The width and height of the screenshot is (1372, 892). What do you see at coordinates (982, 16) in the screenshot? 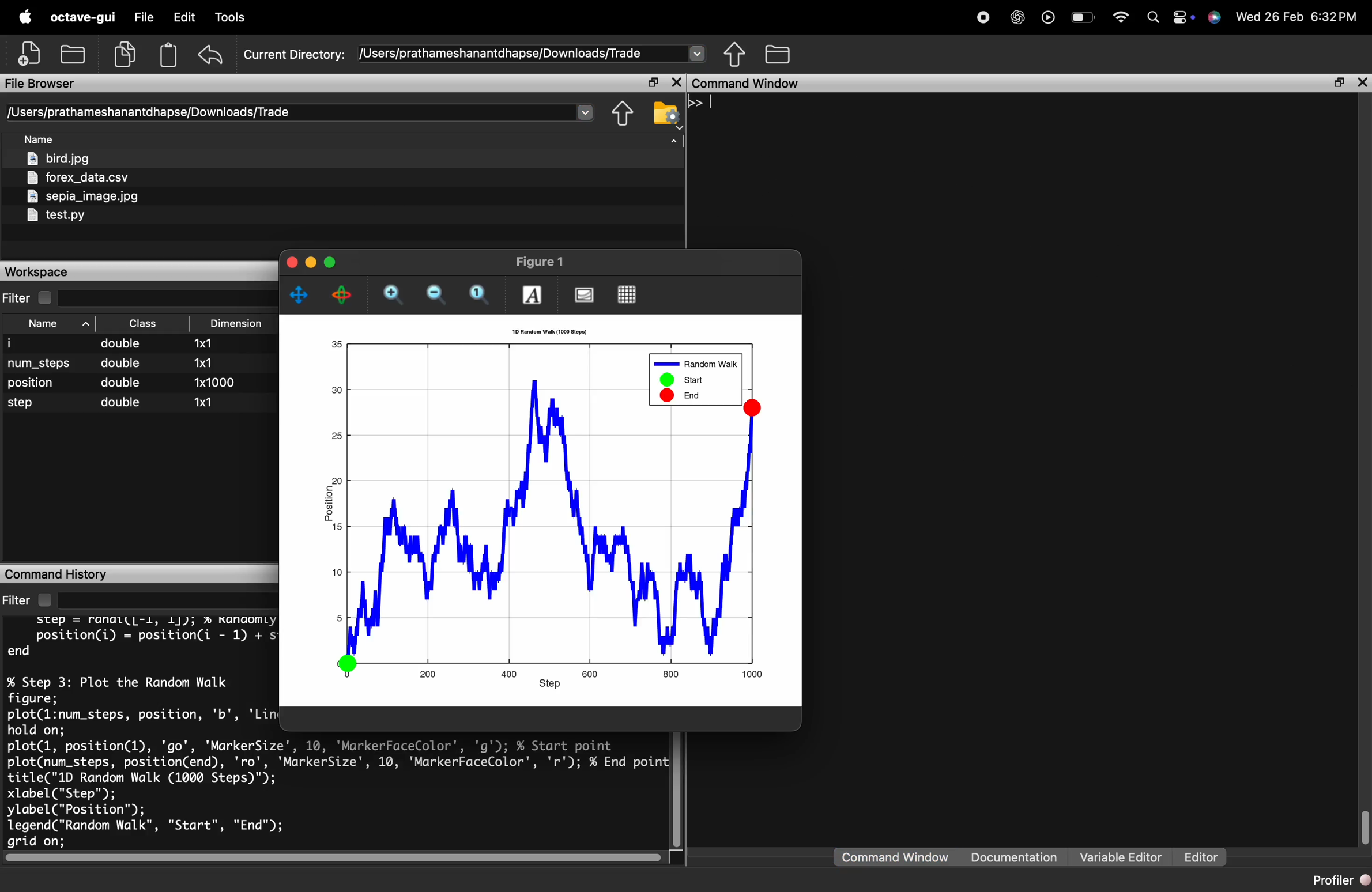
I see `record` at bounding box center [982, 16].